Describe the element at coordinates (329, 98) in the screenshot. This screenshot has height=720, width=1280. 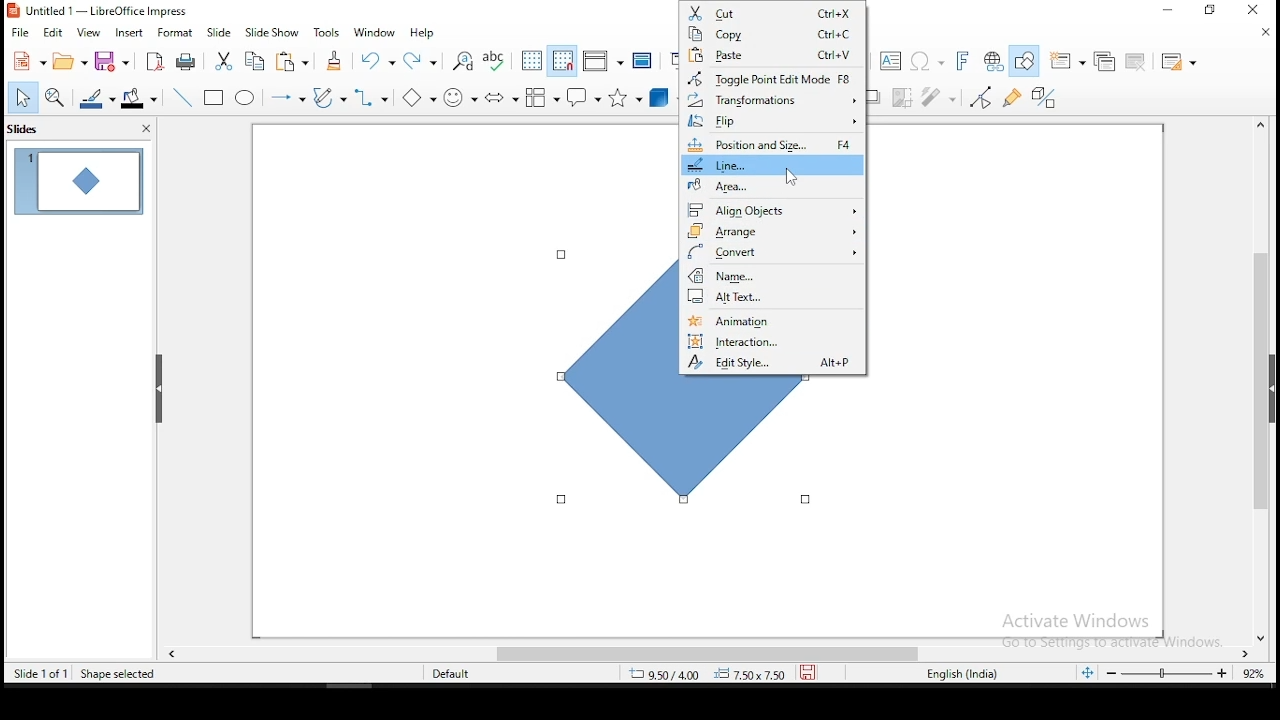
I see `curves and polygons` at that location.